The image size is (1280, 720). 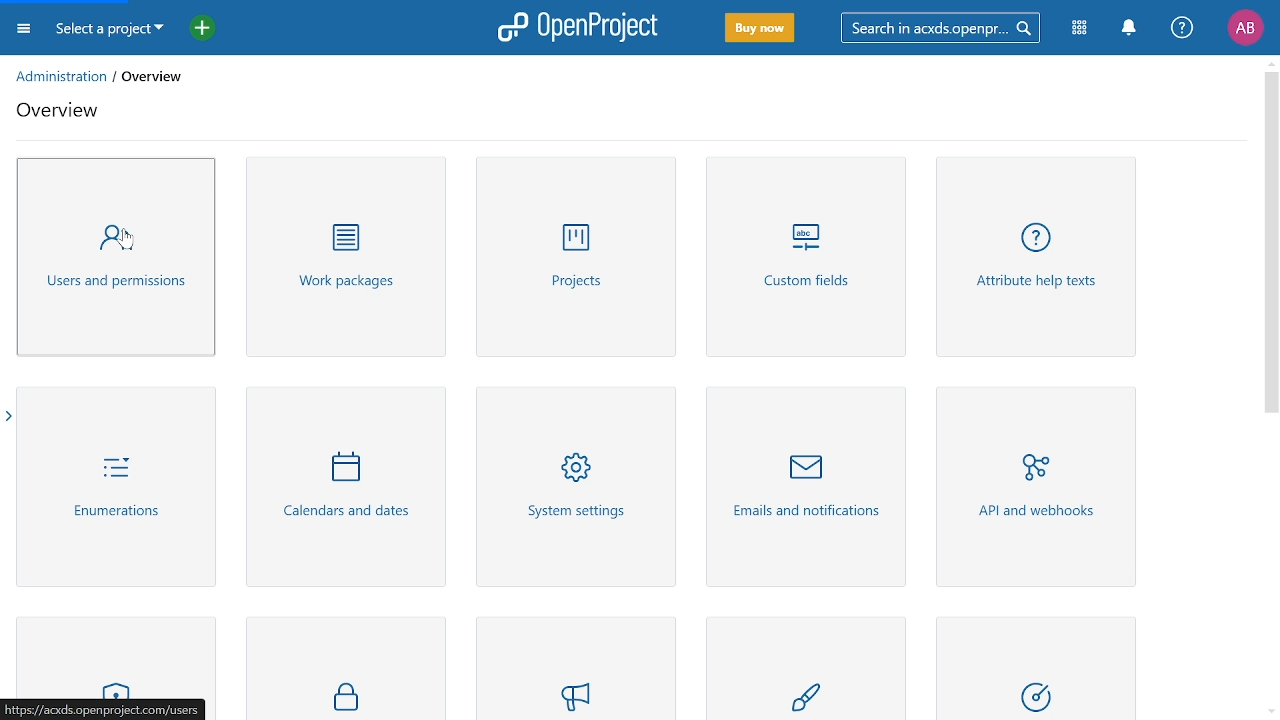 What do you see at coordinates (103, 75) in the screenshot?
I see `current path "Administration/ overview"` at bounding box center [103, 75].